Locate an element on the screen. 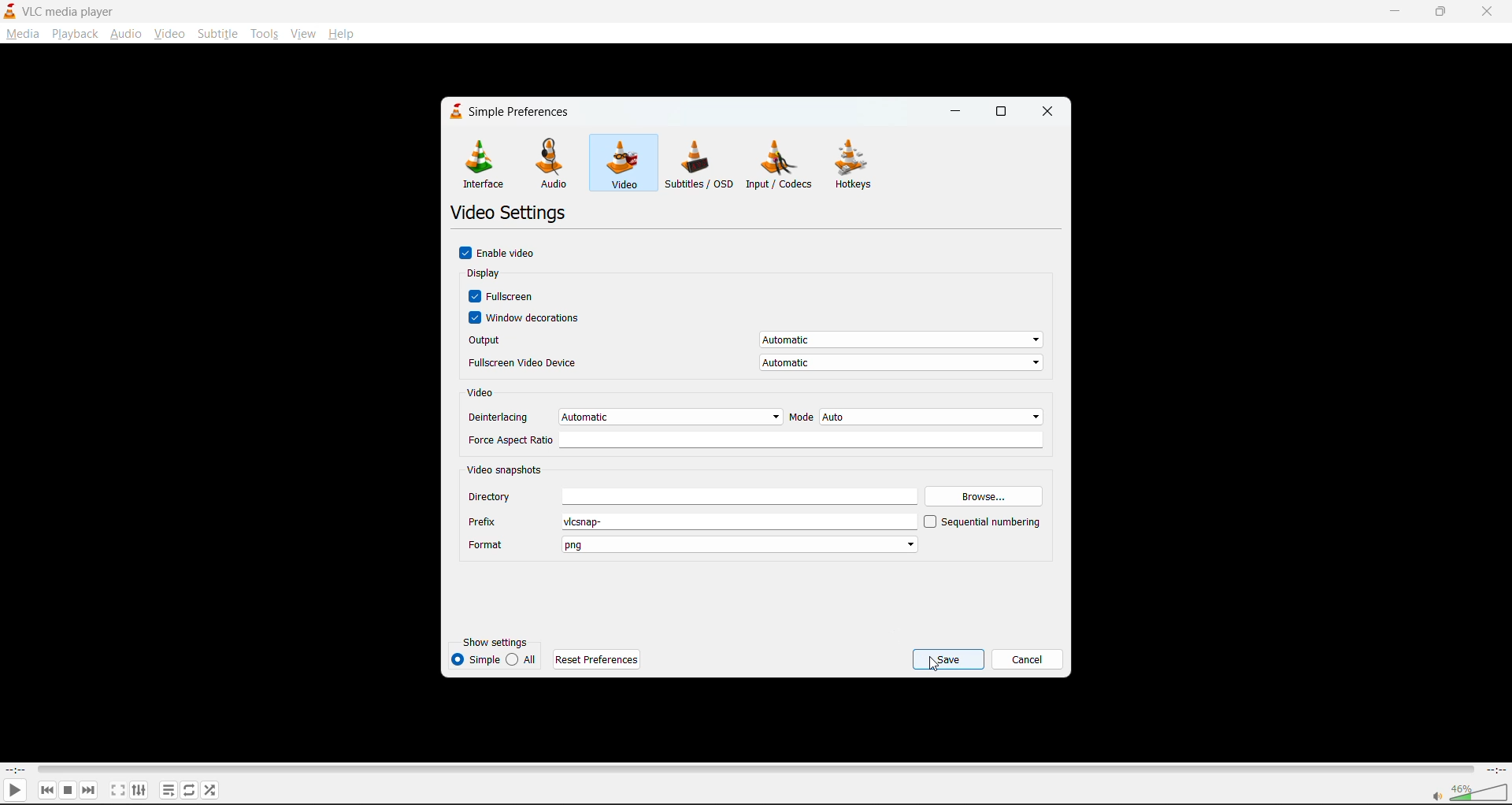  audio is located at coordinates (126, 32).